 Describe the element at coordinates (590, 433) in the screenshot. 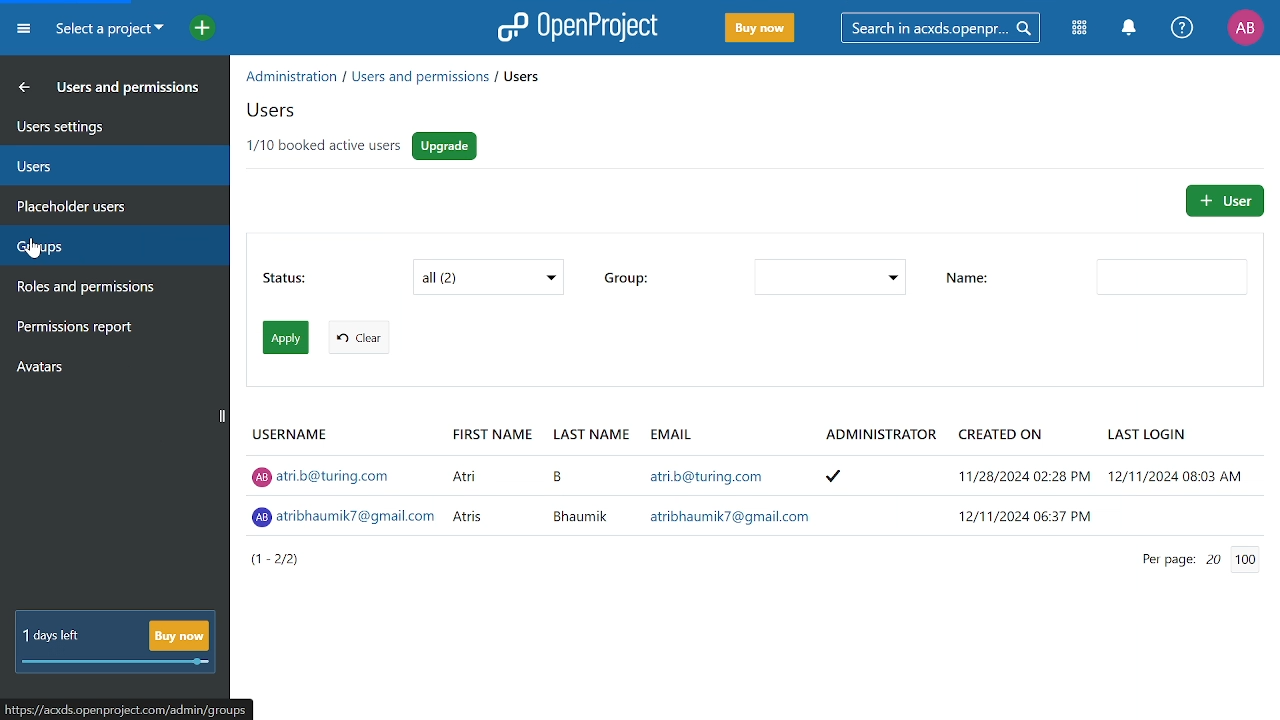

I see `Last NAme` at that location.